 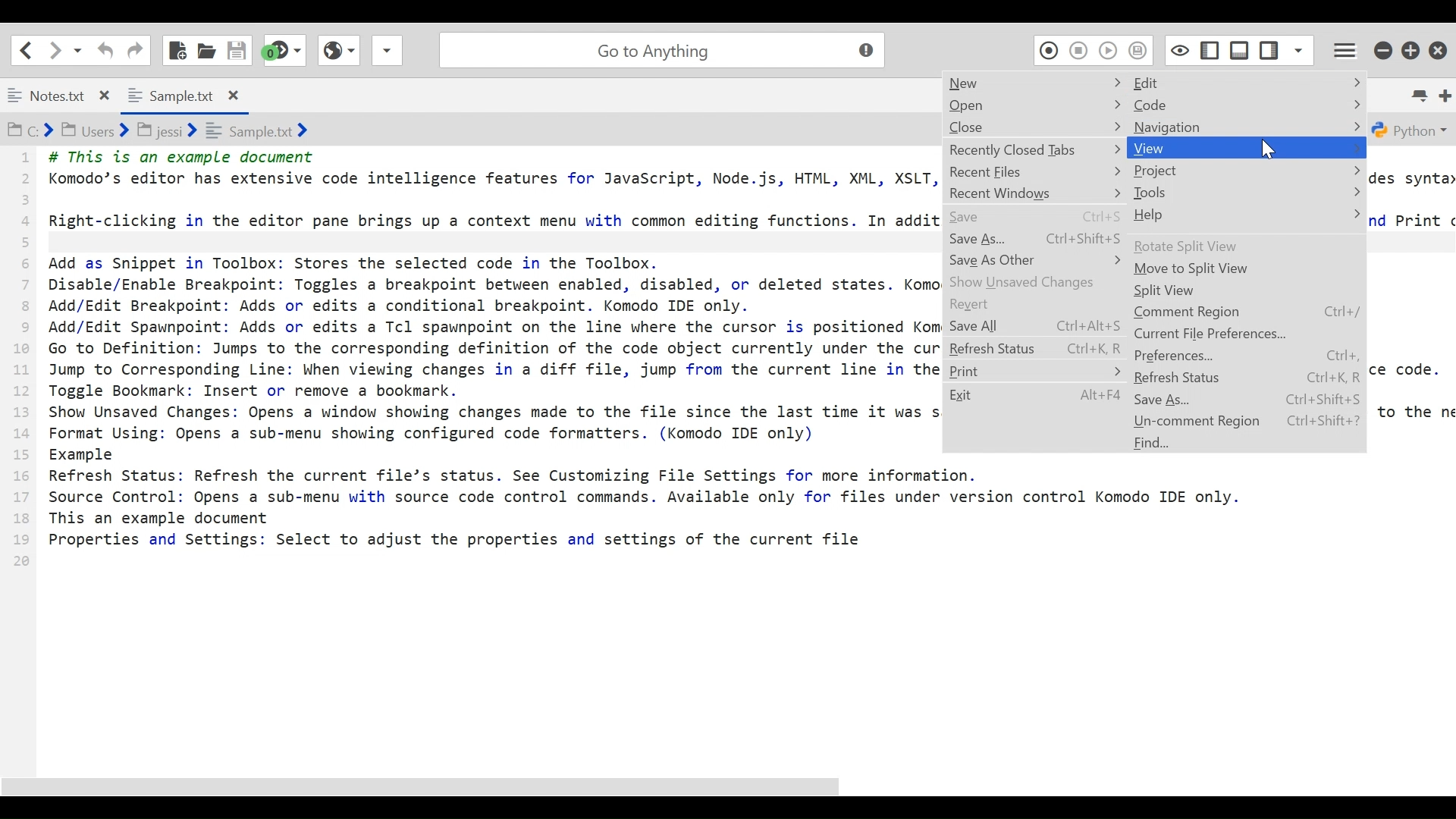 I want to click on Click to go forward one location, so click(x=55, y=50).